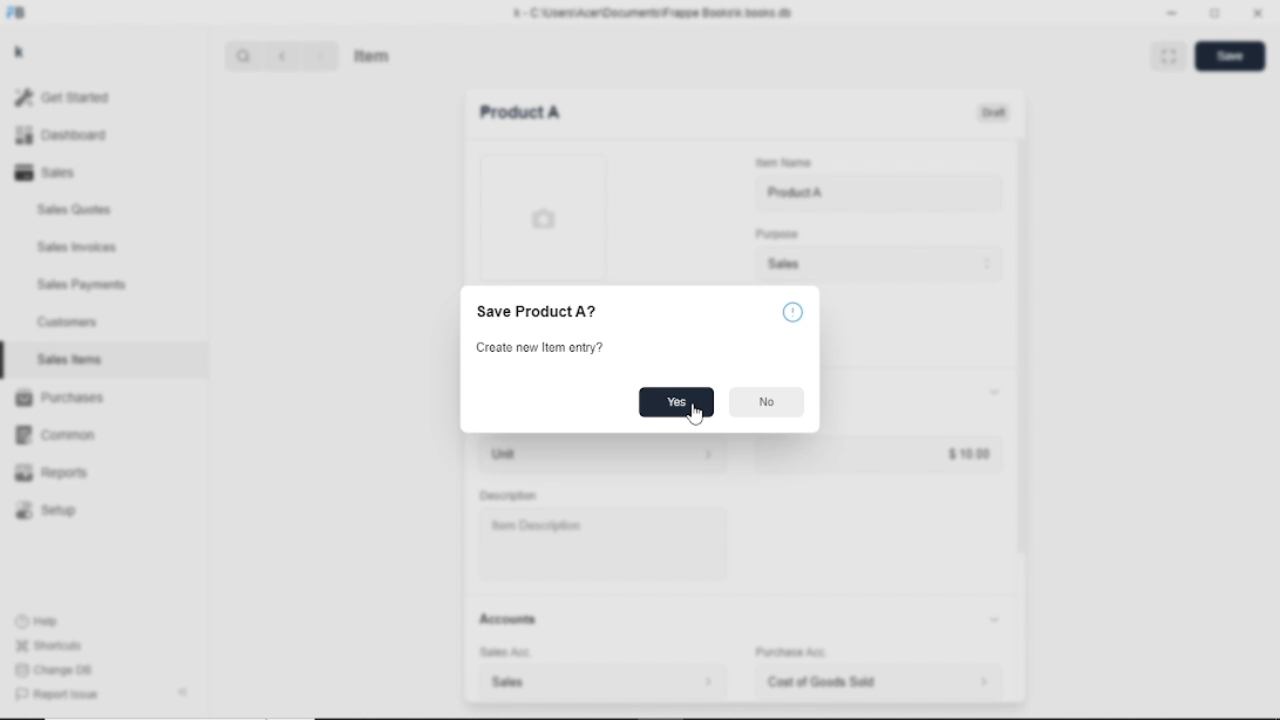  What do you see at coordinates (782, 163) in the screenshot?
I see `Item Name` at bounding box center [782, 163].